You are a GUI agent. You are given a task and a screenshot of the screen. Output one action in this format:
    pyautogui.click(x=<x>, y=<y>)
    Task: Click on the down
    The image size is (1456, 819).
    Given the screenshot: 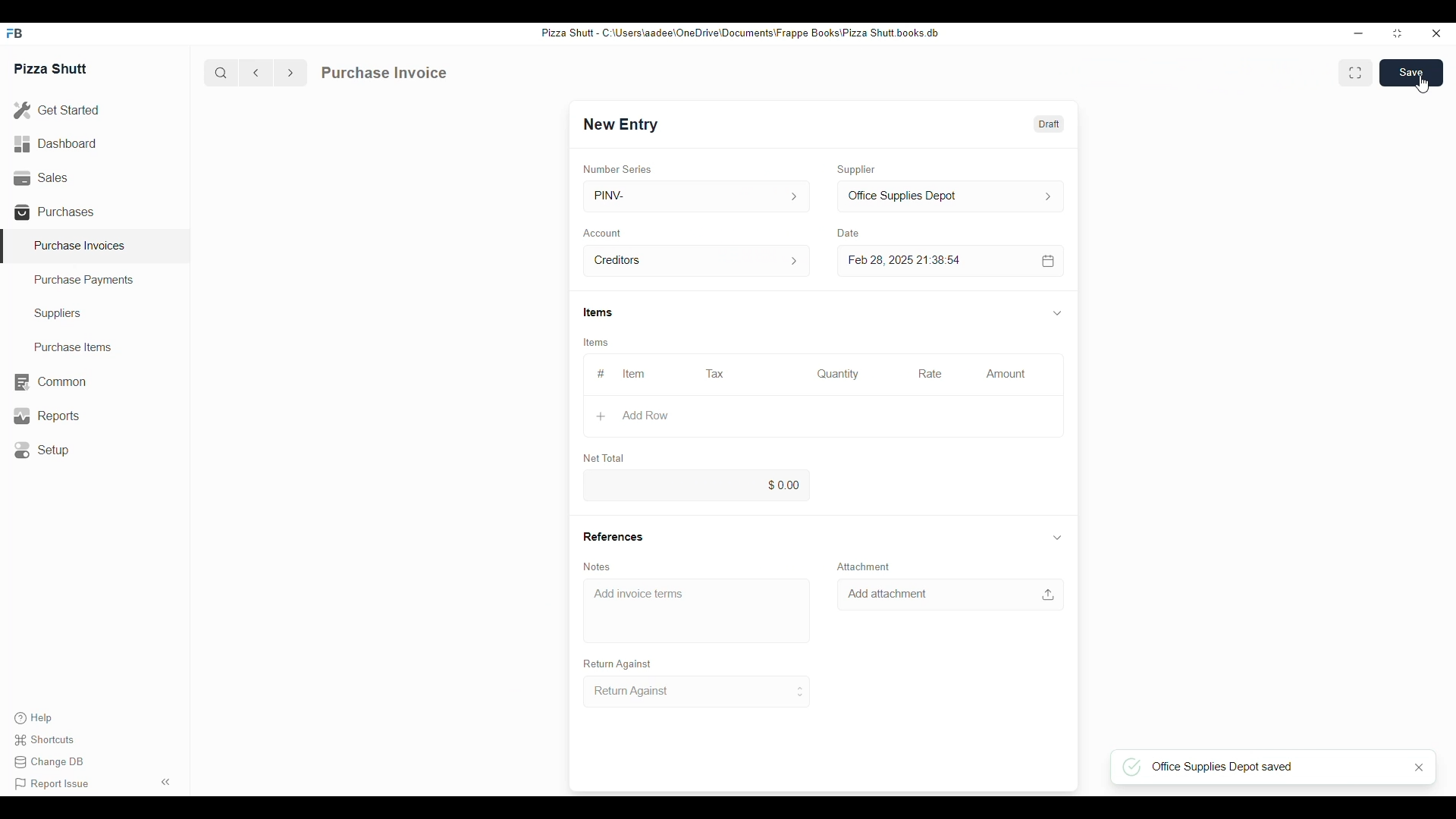 What is the action you would take?
    pyautogui.click(x=1056, y=313)
    